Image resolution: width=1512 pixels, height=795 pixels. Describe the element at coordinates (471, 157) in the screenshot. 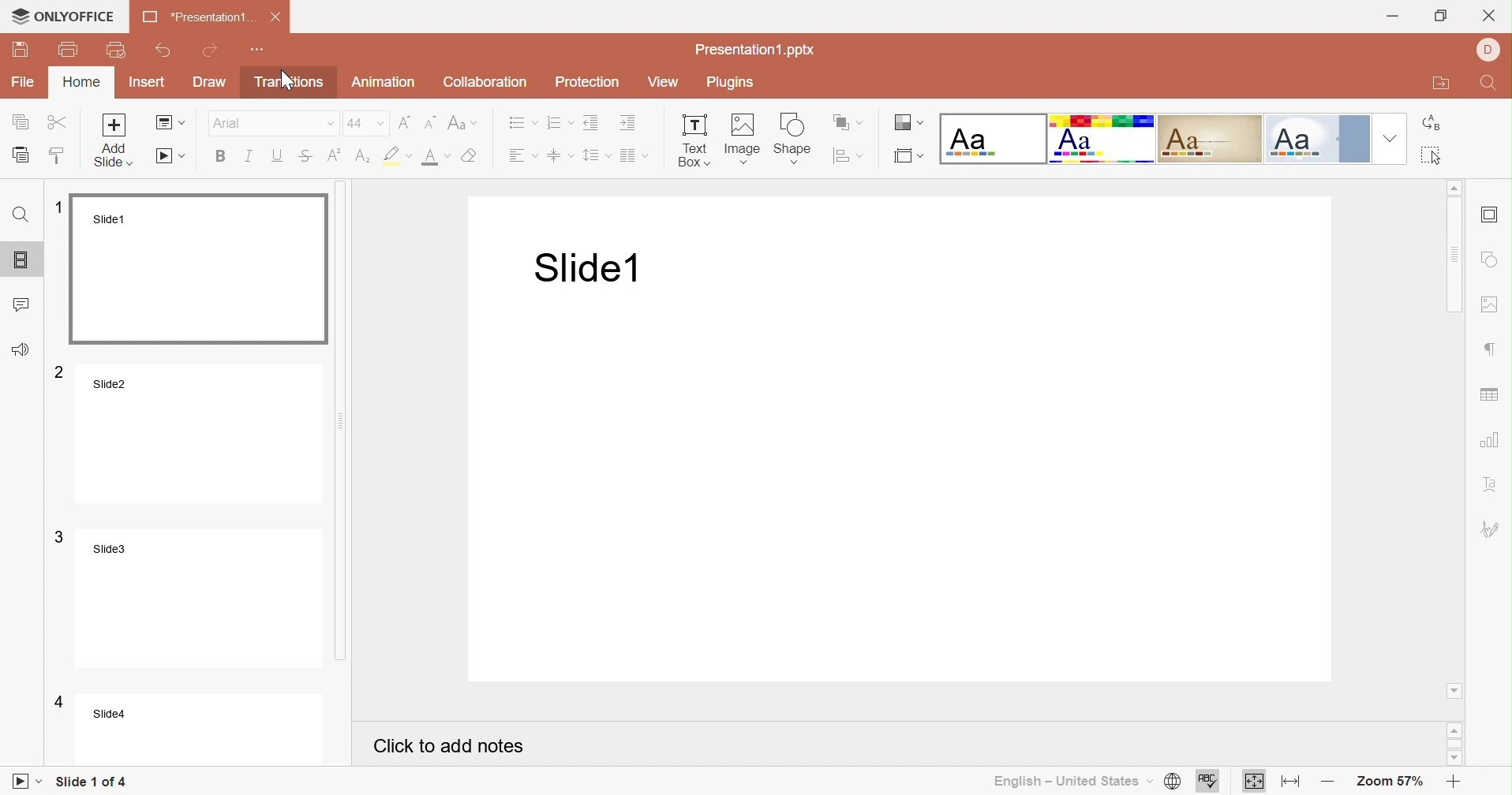

I see `Clear style` at that location.